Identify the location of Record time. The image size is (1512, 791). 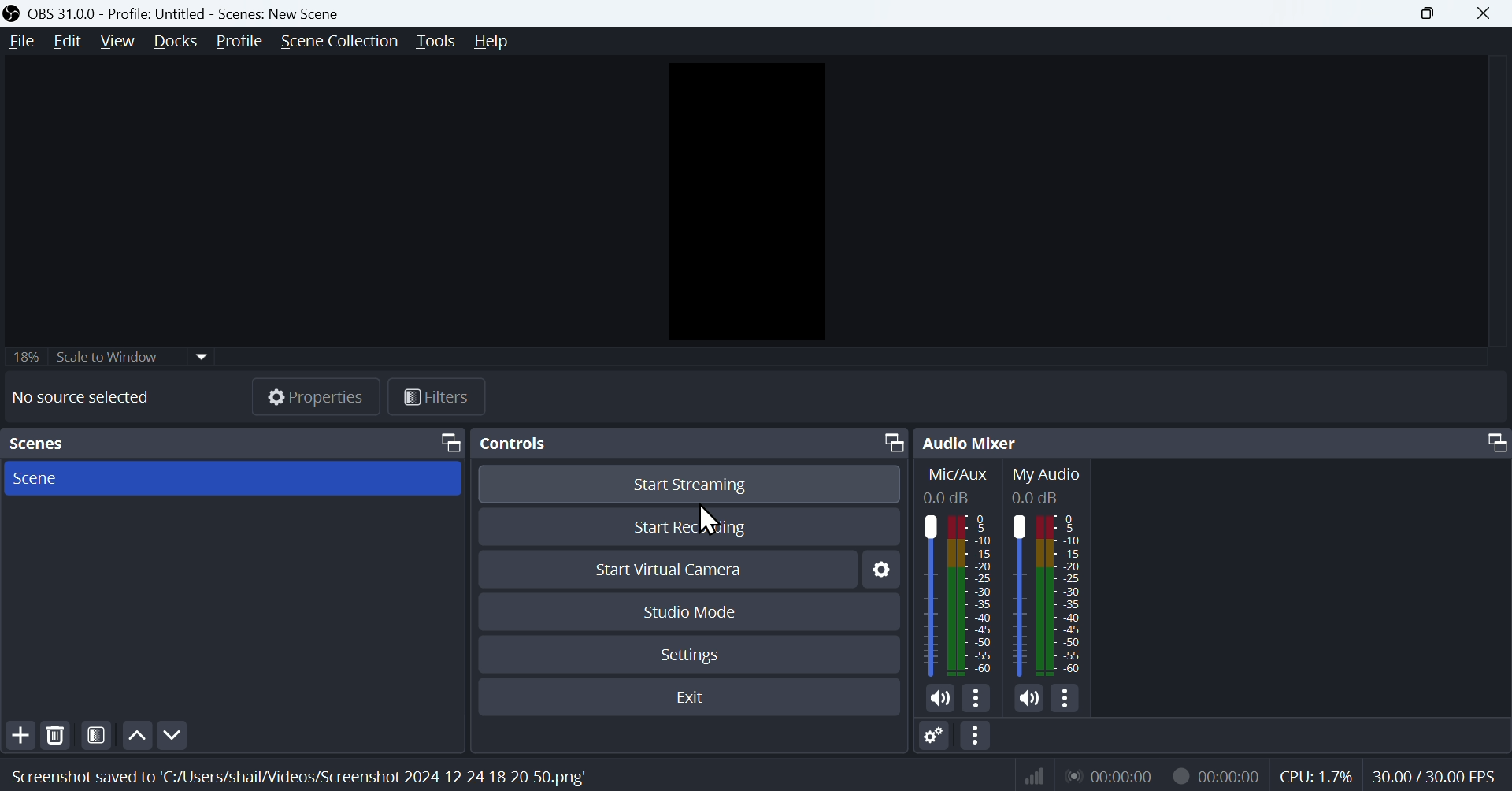
(1218, 775).